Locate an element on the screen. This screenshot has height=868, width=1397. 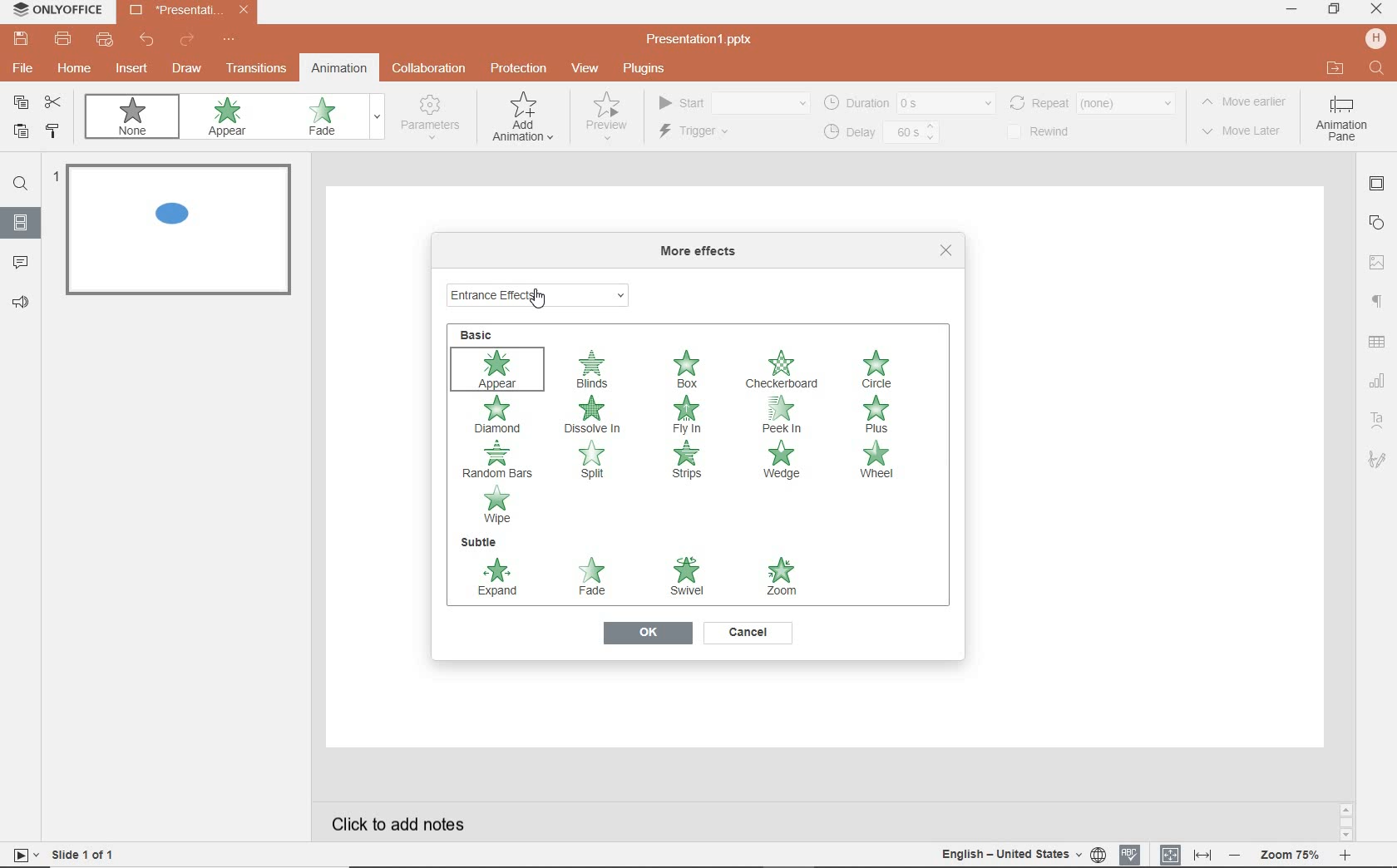
home is located at coordinates (76, 71).